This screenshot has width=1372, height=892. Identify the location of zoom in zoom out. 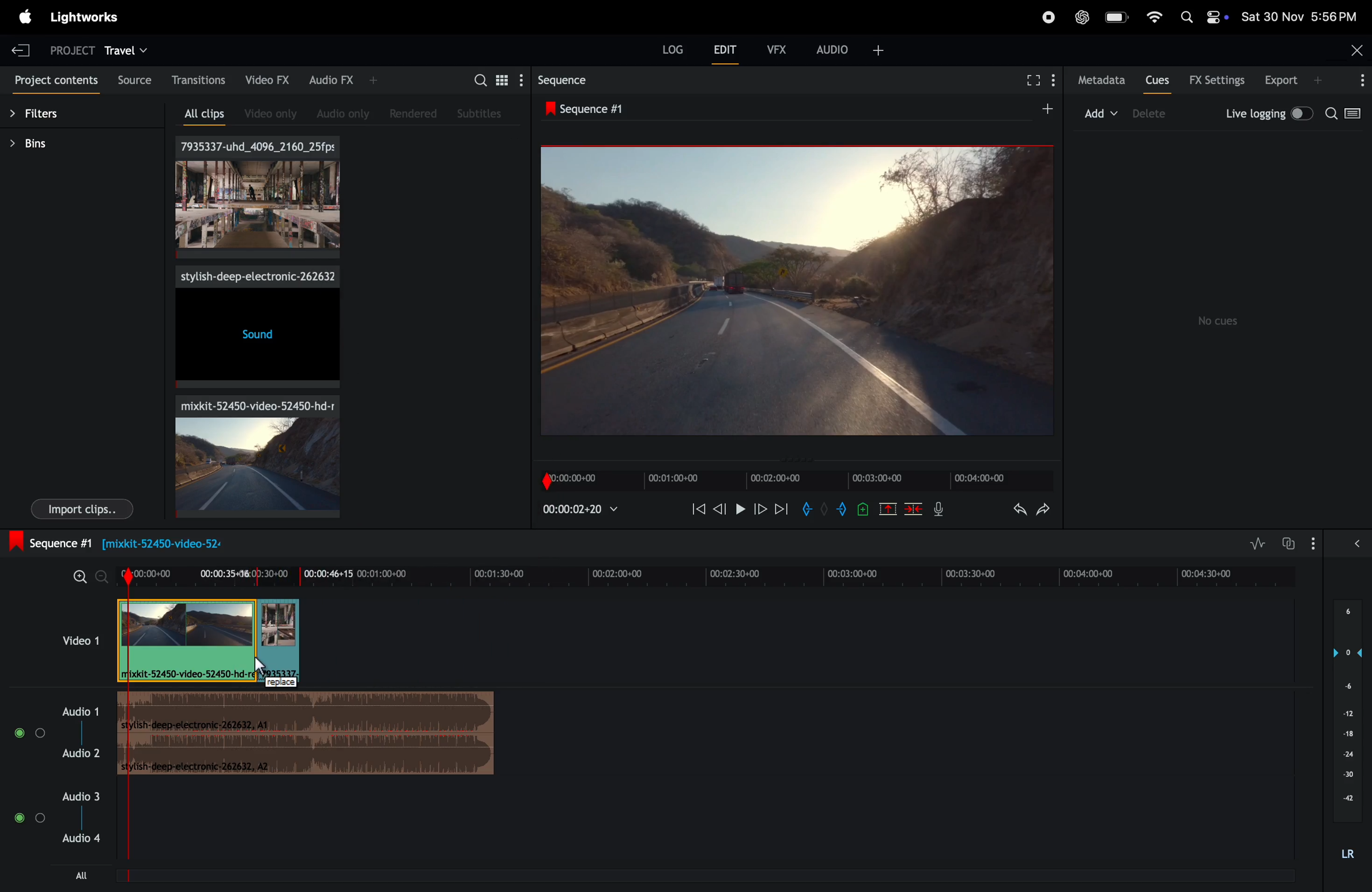
(82, 576).